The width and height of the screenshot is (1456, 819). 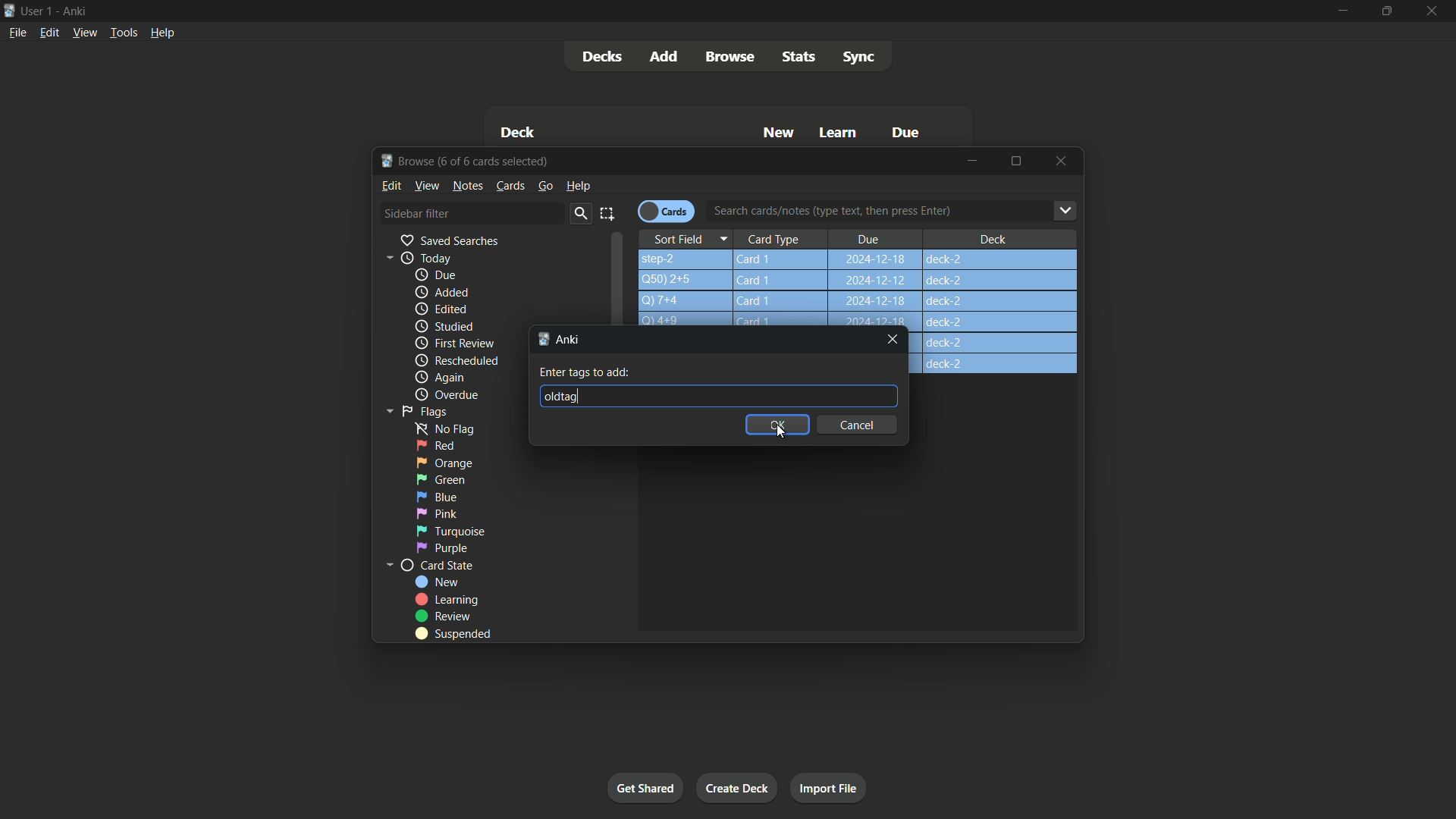 I want to click on Sync, so click(x=858, y=57).